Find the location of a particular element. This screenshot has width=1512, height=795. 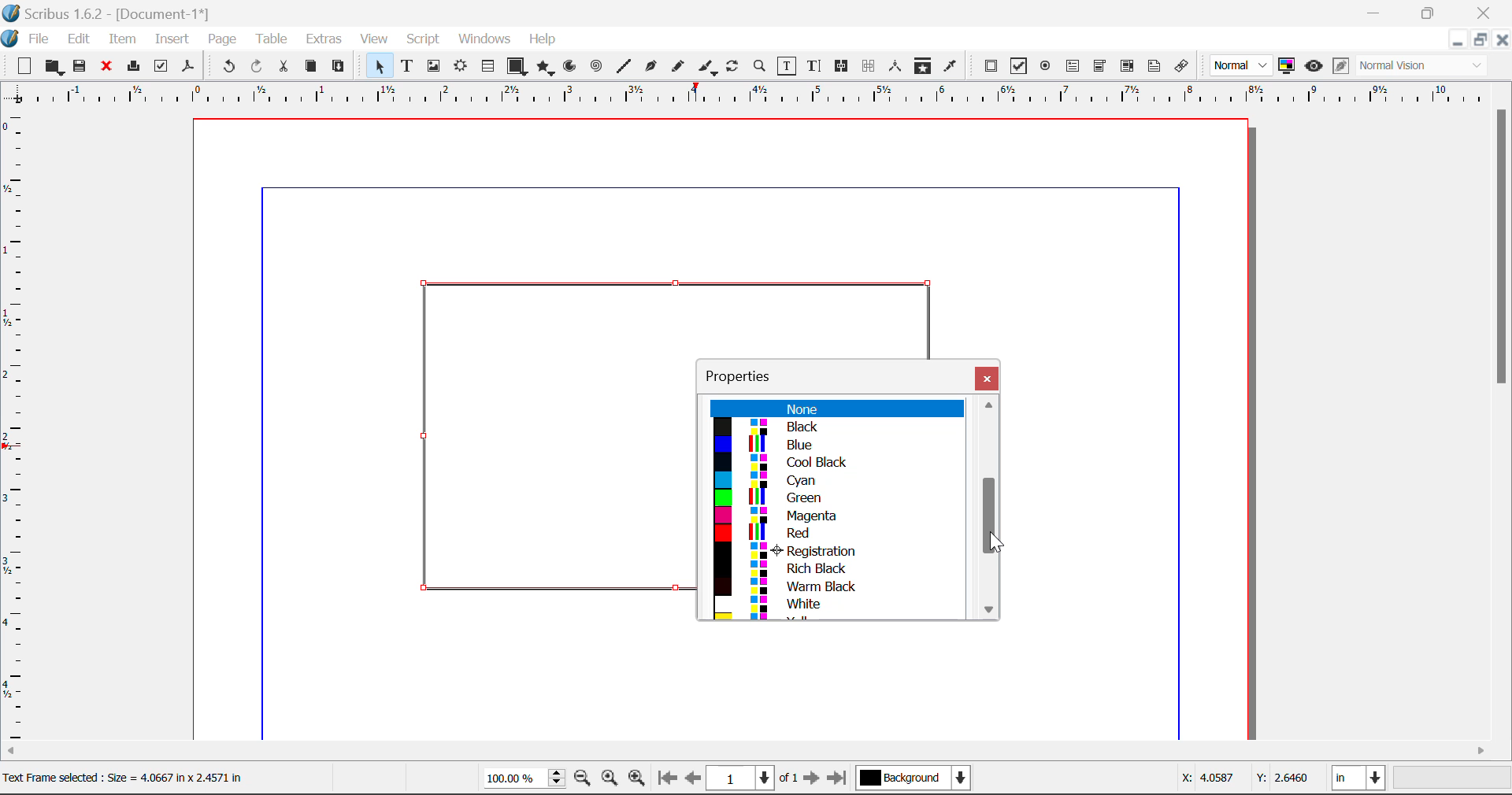

Tables is located at coordinates (487, 66).